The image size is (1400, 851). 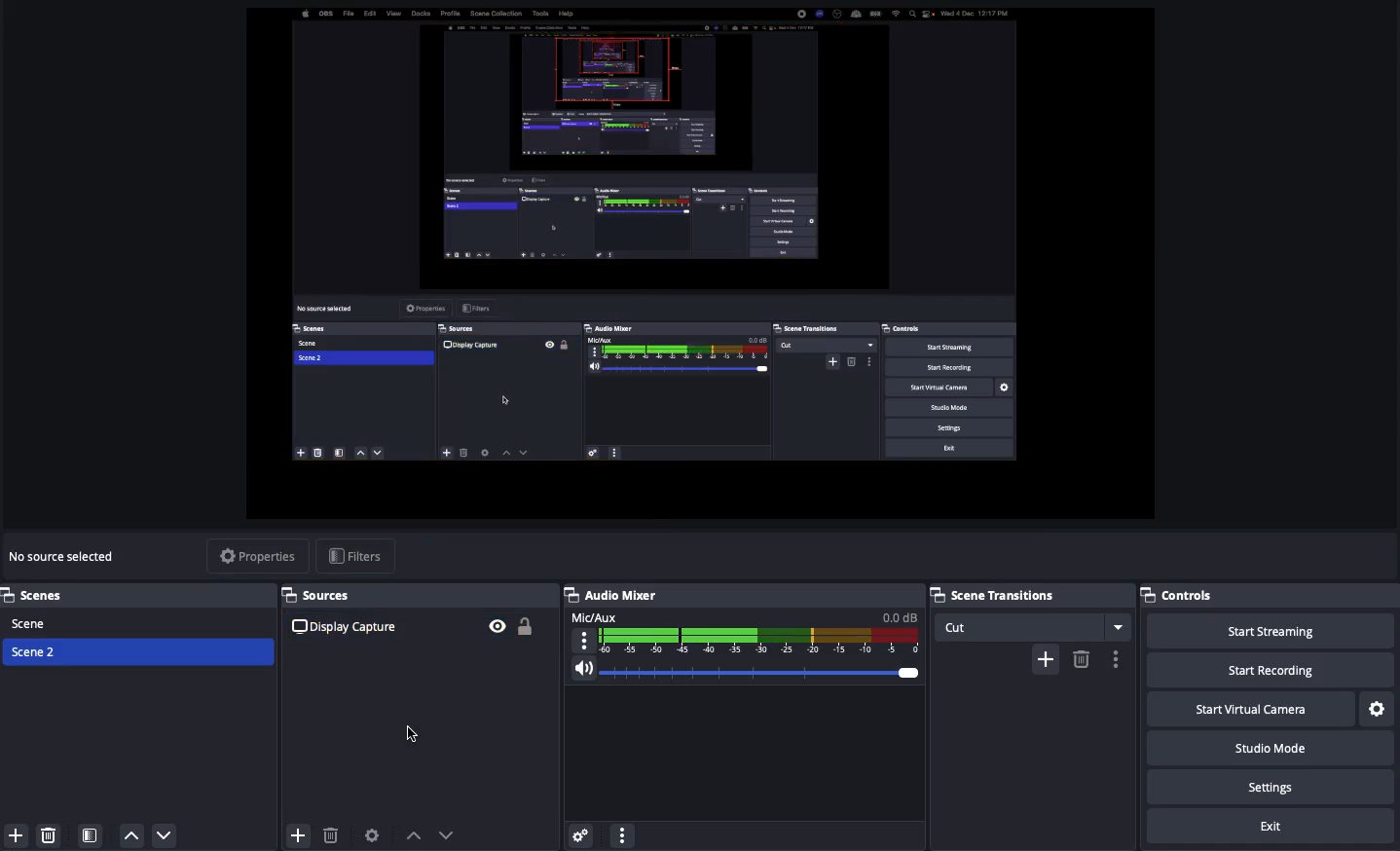 What do you see at coordinates (414, 626) in the screenshot?
I see `Pasted` at bounding box center [414, 626].